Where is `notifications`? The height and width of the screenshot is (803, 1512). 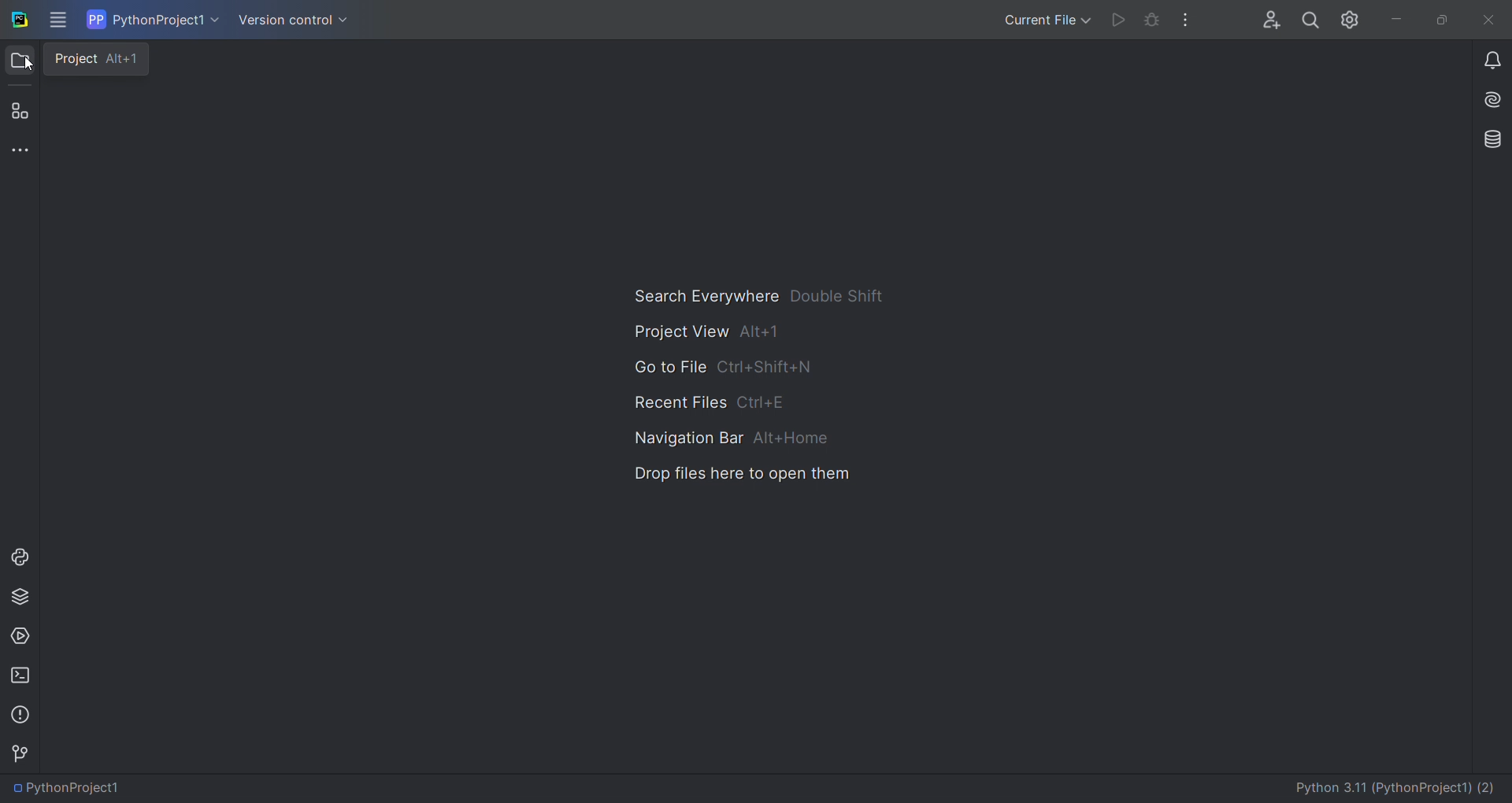
notifications is located at coordinates (1484, 60).